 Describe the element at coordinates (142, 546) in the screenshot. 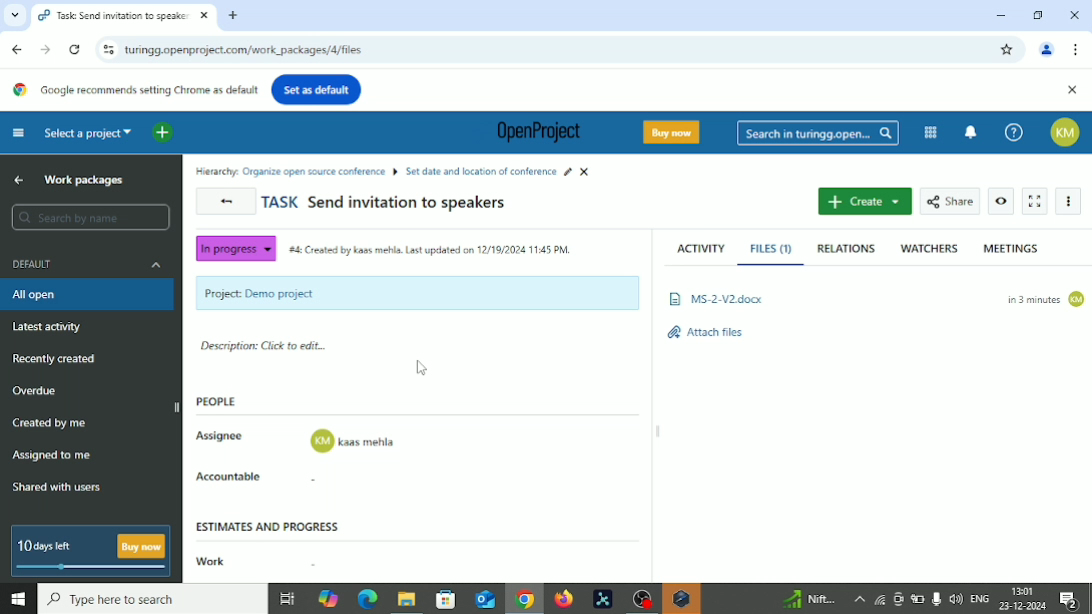

I see `buy now` at that location.